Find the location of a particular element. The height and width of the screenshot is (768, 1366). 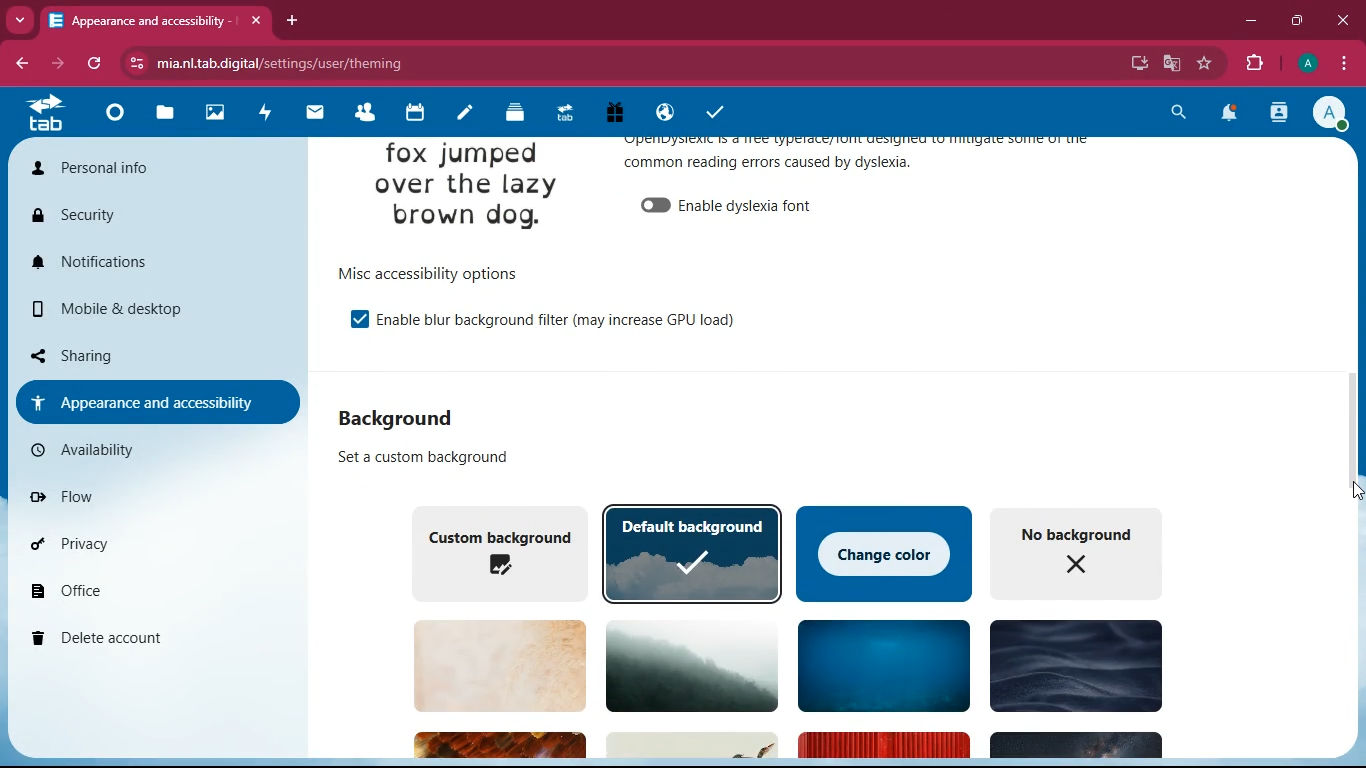

mail is located at coordinates (317, 116).